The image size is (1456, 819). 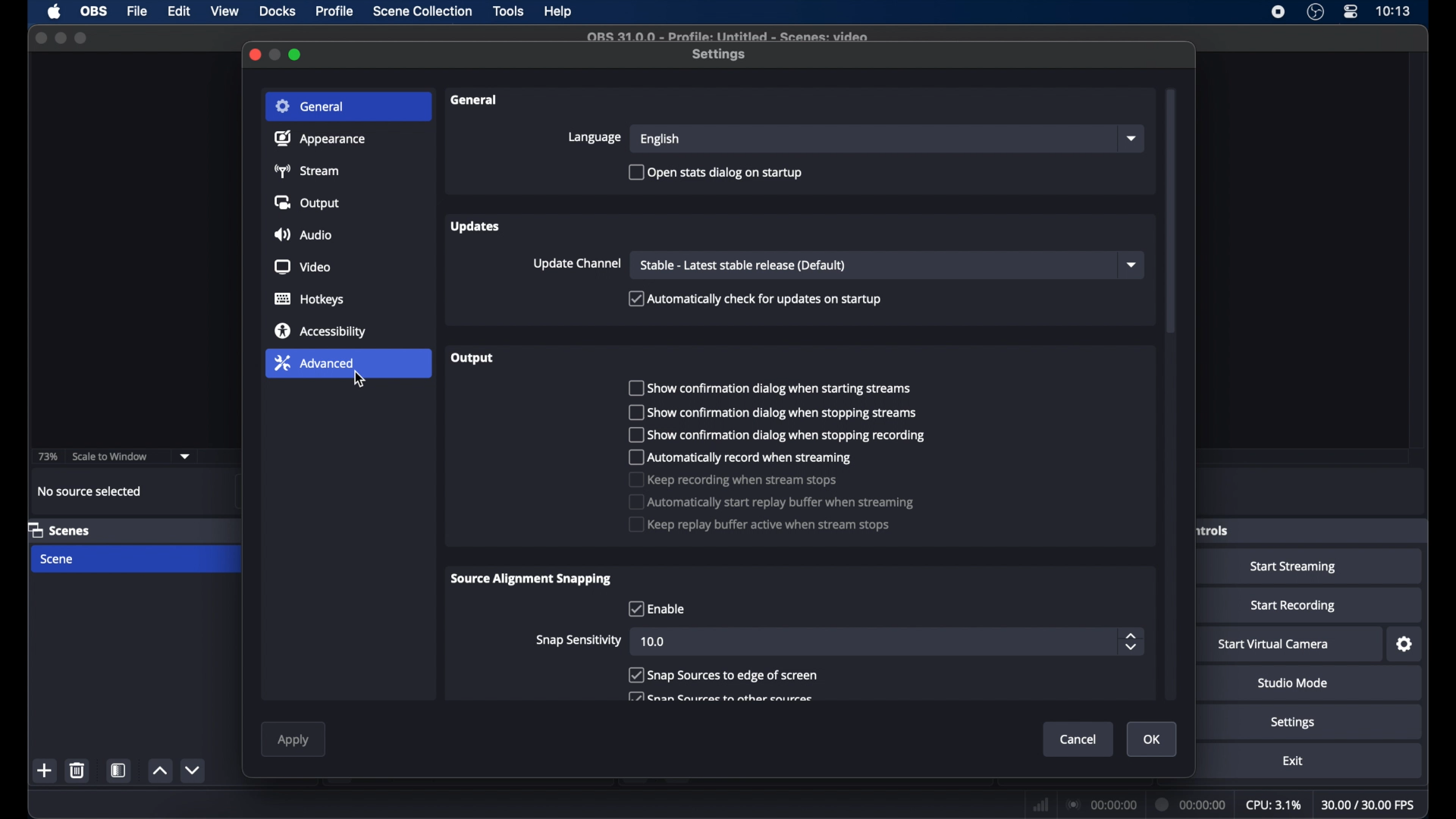 I want to click on start virtual camera, so click(x=1274, y=645).